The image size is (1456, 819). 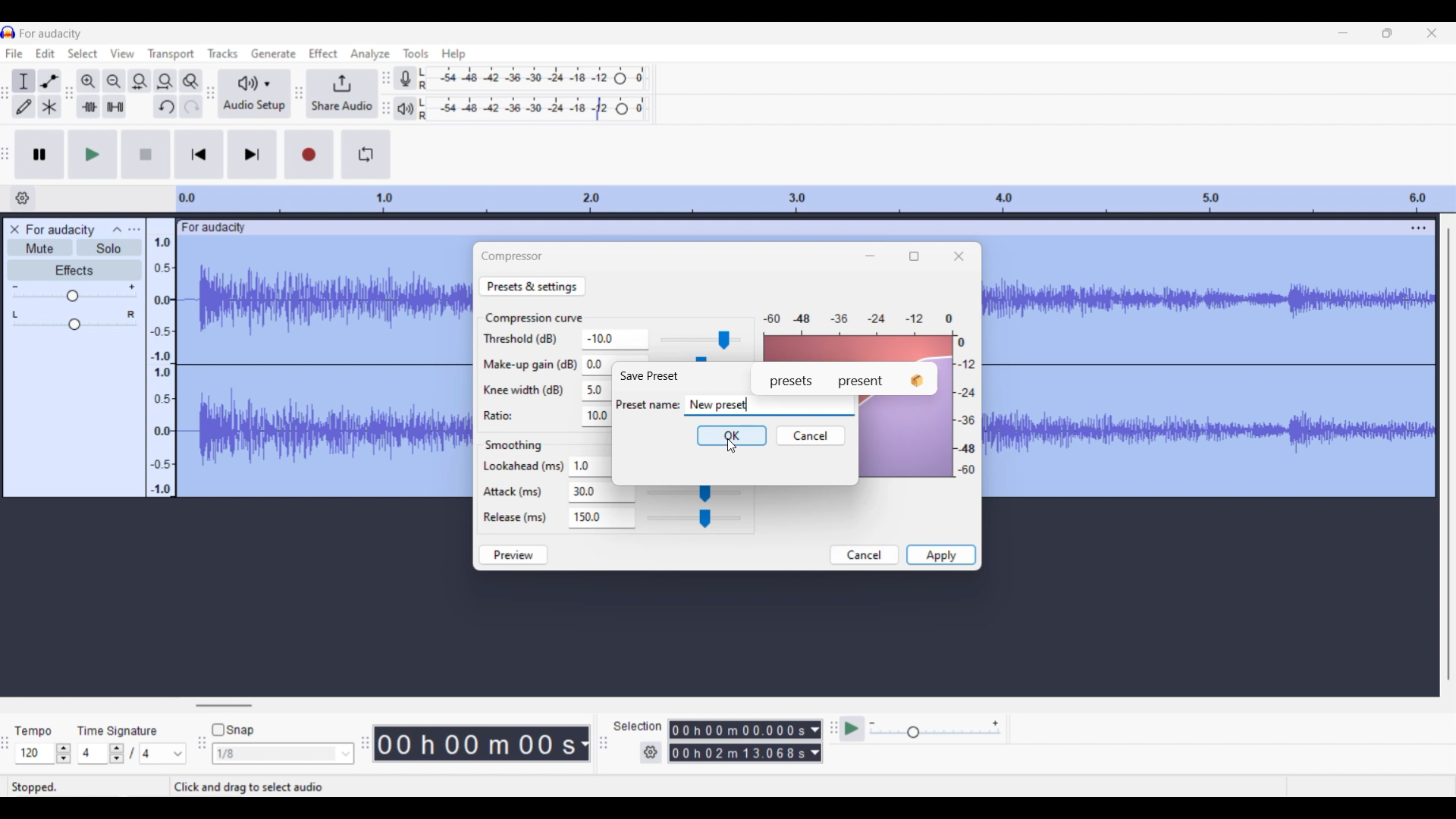 I want to click on Show in a bigger tab, so click(x=913, y=256).